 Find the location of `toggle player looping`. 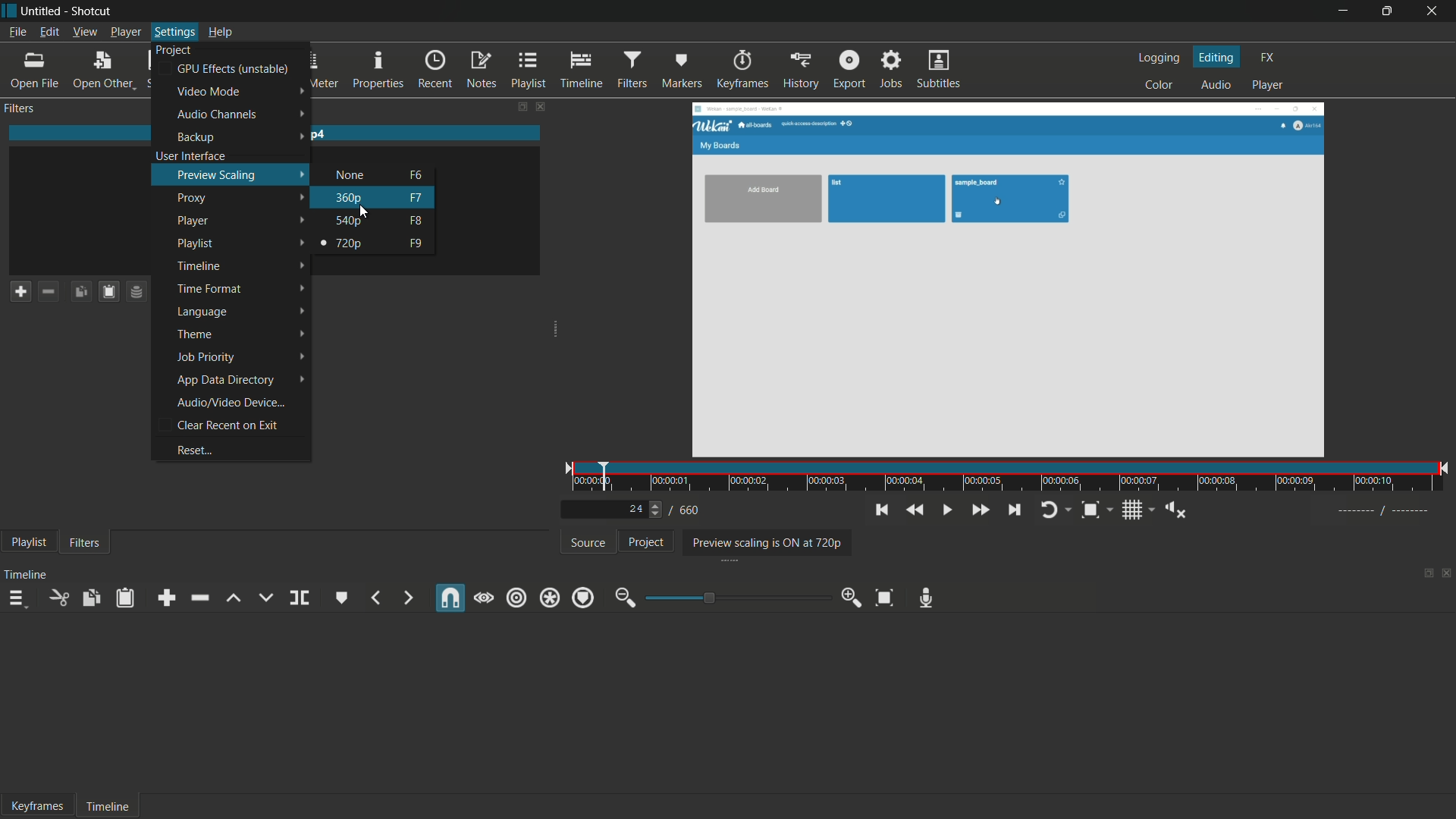

toggle player looping is located at coordinates (1050, 510).